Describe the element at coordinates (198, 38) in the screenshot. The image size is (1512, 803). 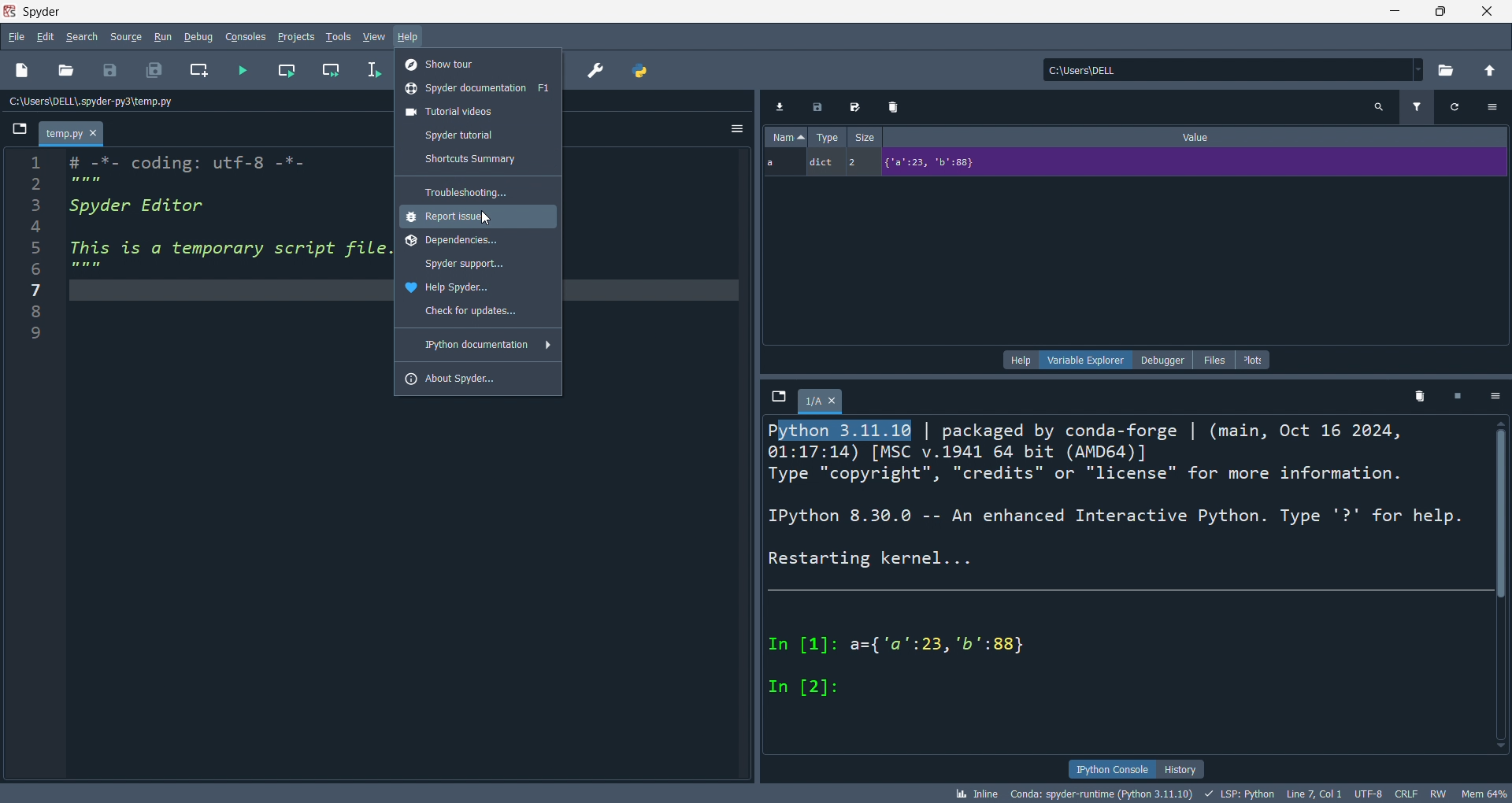
I see `debug` at that location.